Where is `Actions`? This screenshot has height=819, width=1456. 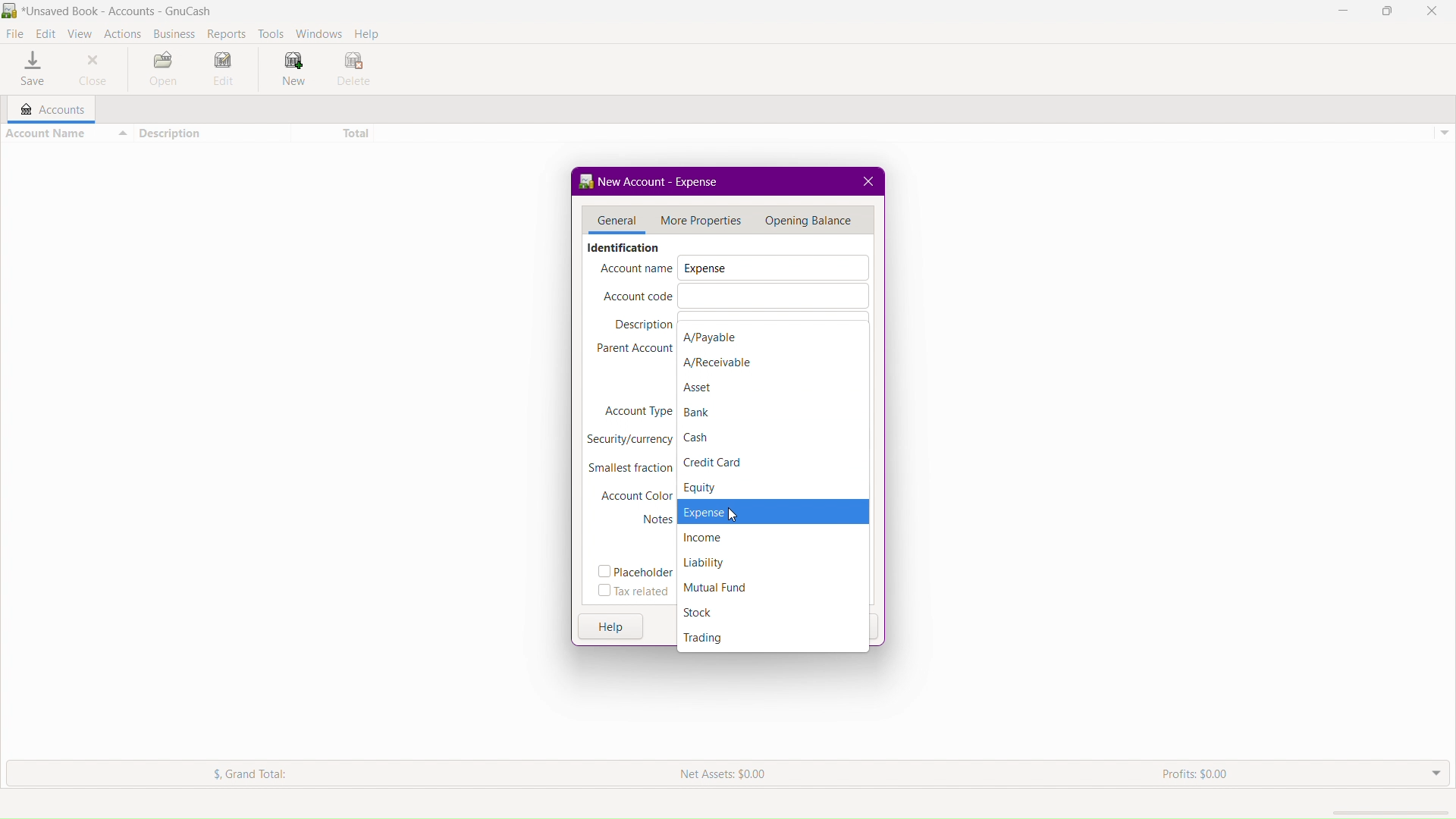 Actions is located at coordinates (122, 32).